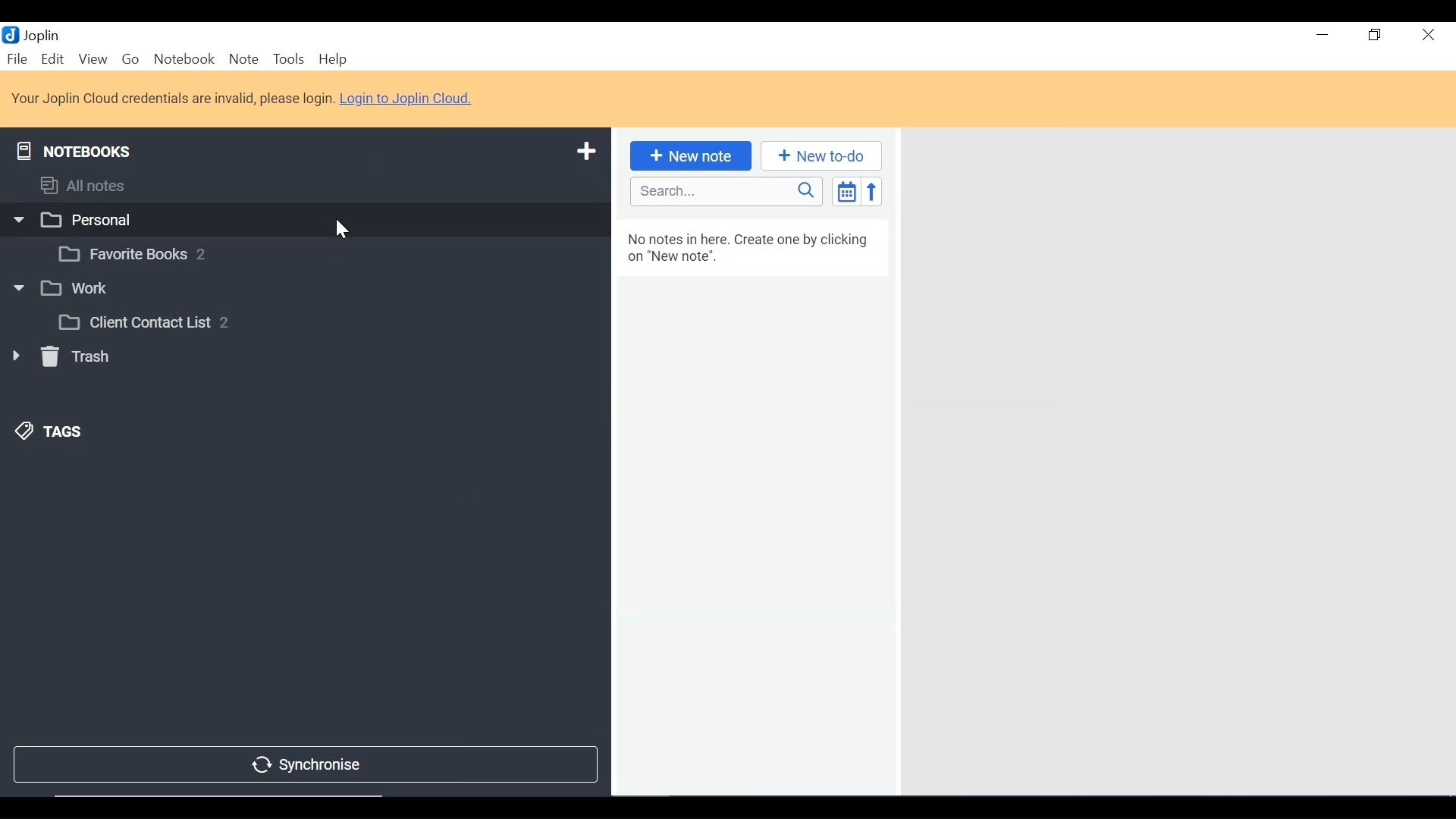 This screenshot has width=1456, height=819. What do you see at coordinates (1375, 37) in the screenshot?
I see `Restore` at bounding box center [1375, 37].